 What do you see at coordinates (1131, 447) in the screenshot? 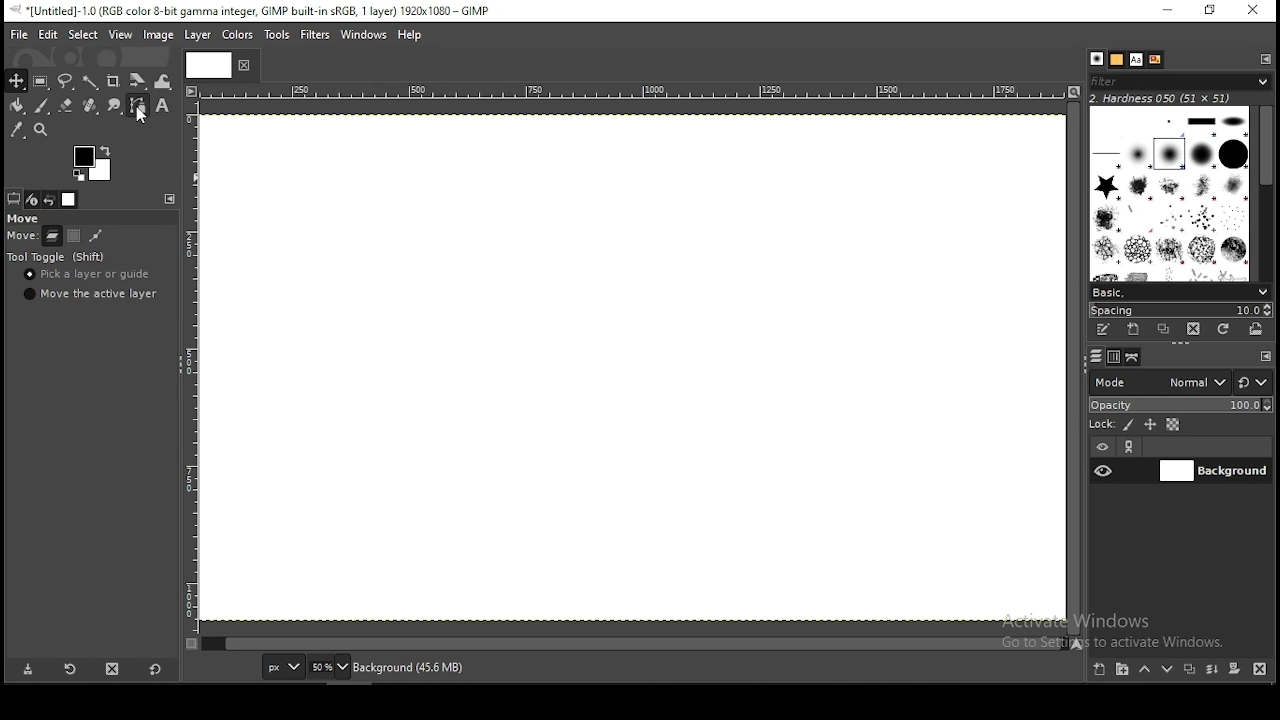
I see `link` at bounding box center [1131, 447].